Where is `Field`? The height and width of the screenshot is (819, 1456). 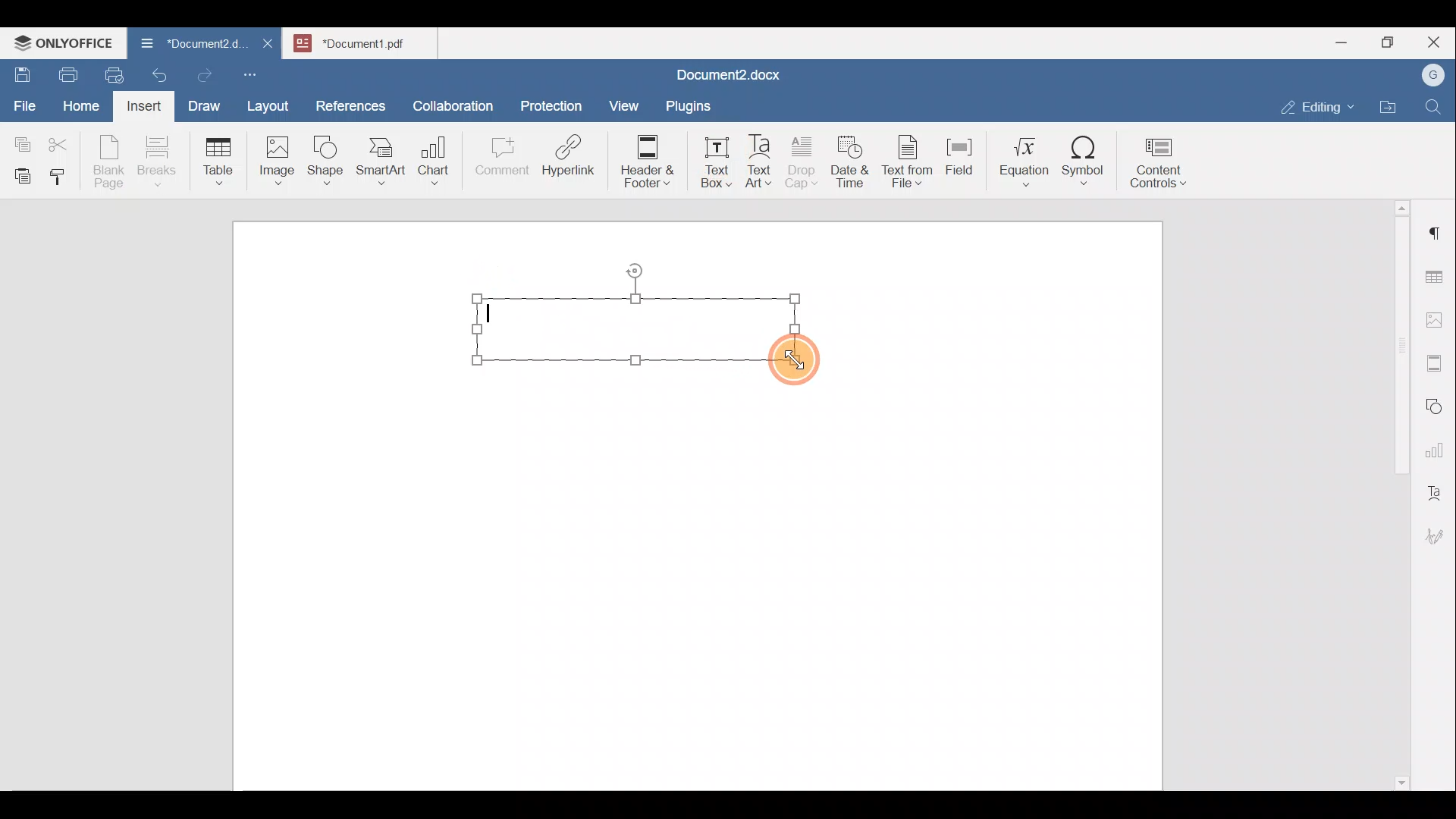 Field is located at coordinates (959, 154).